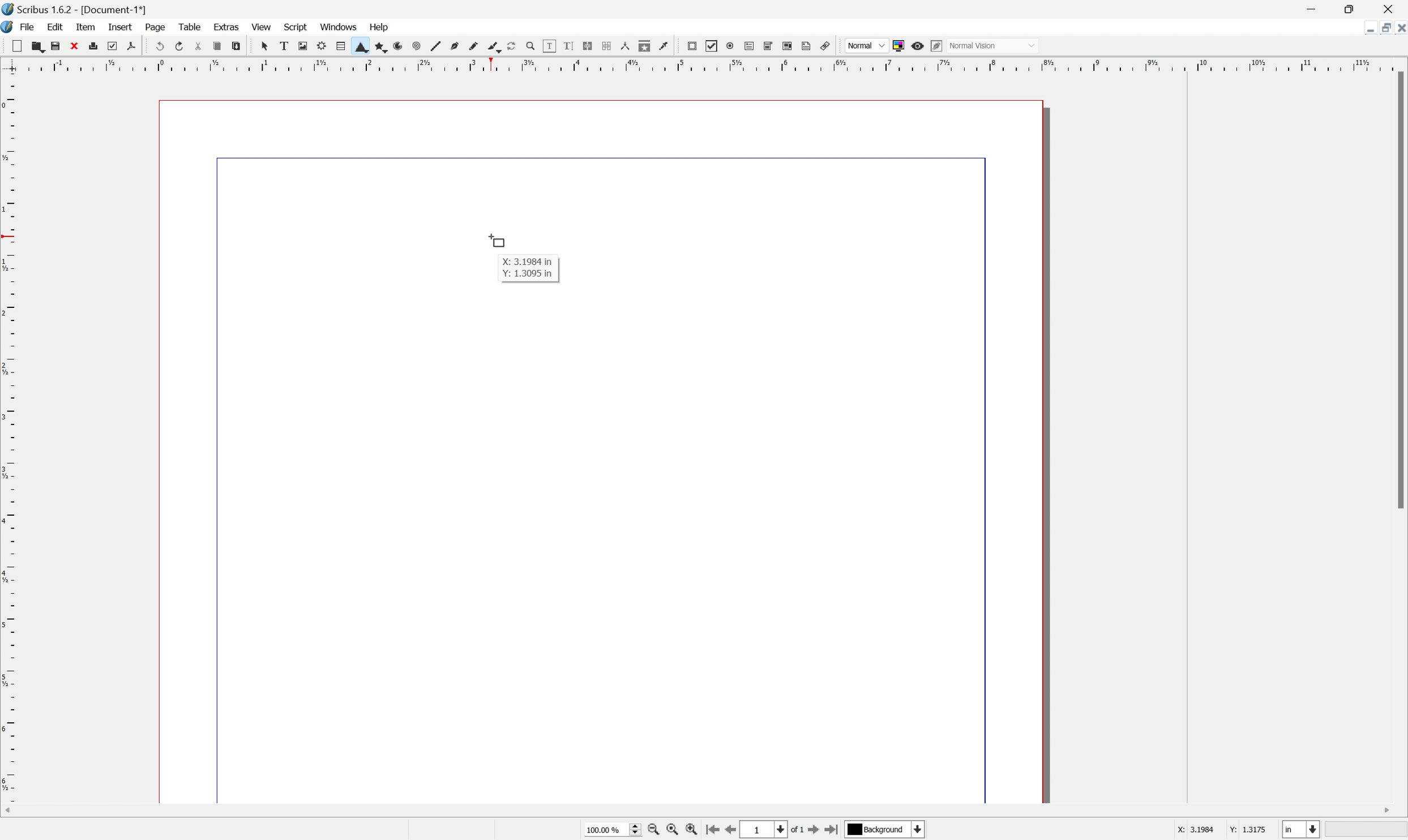 Image resolution: width=1408 pixels, height=840 pixels. I want to click on Scale, so click(9, 439).